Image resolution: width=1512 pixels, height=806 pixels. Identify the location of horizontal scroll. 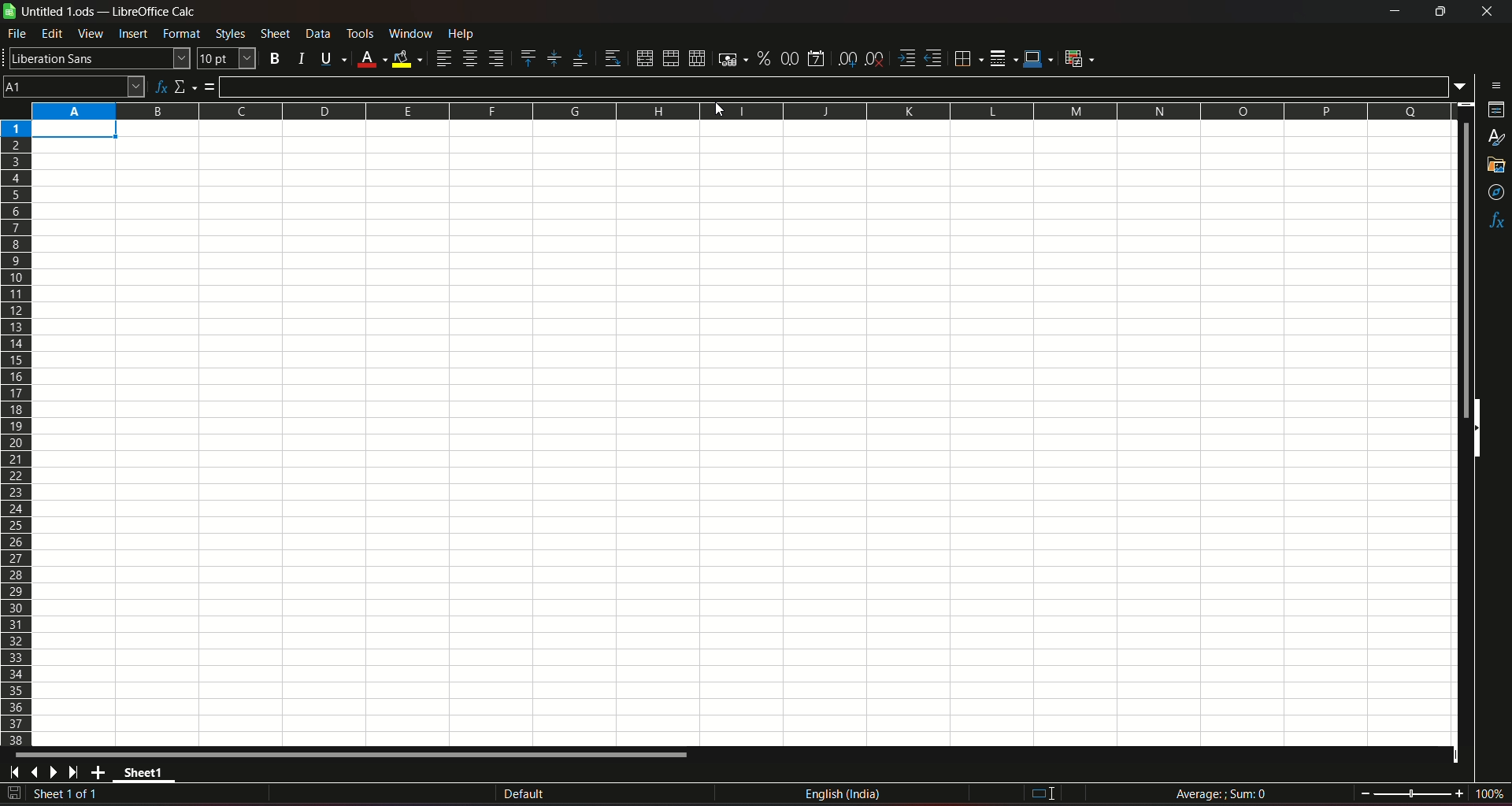
(356, 755).